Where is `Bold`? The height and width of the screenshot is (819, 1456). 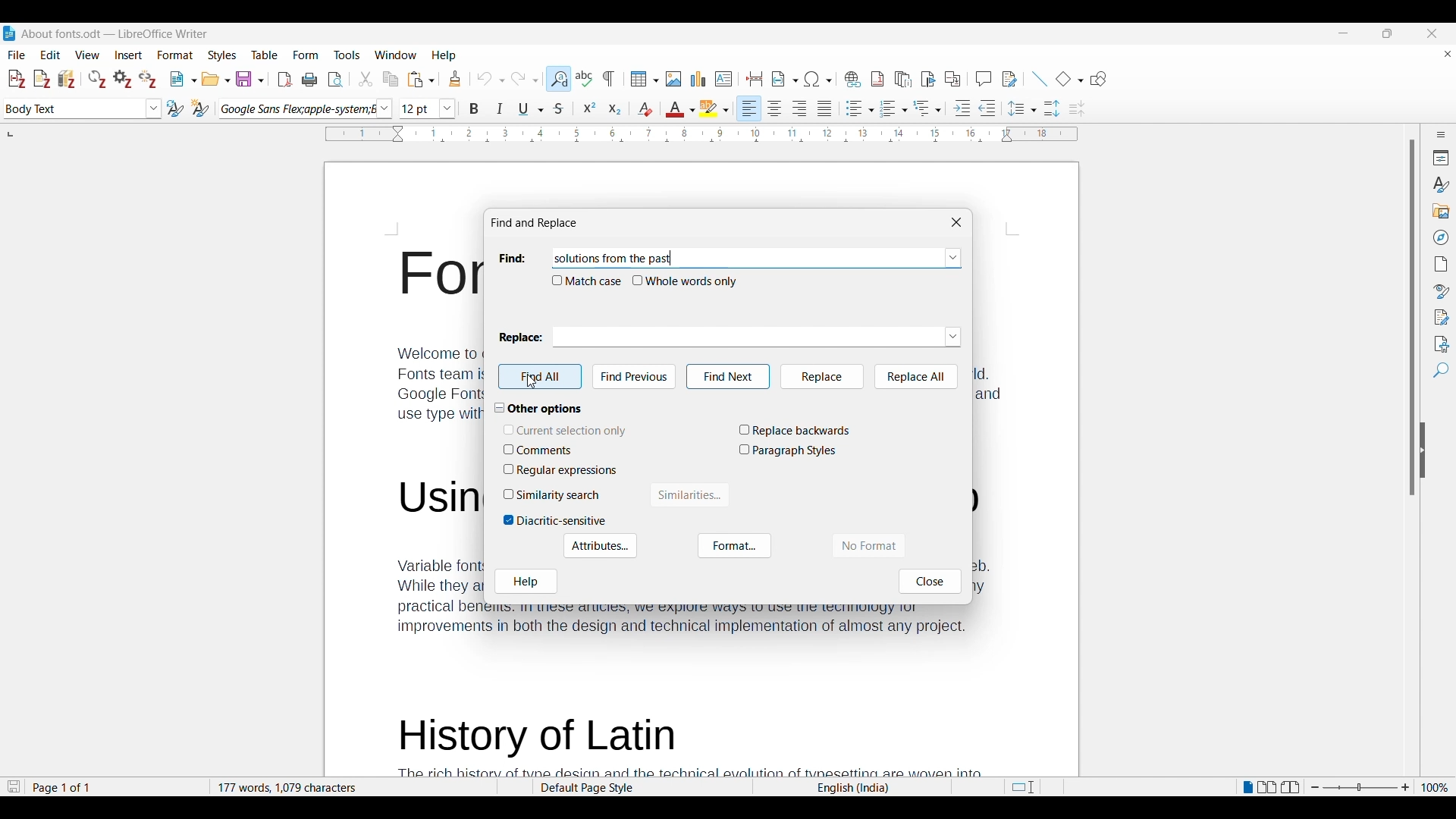
Bold is located at coordinates (475, 108).